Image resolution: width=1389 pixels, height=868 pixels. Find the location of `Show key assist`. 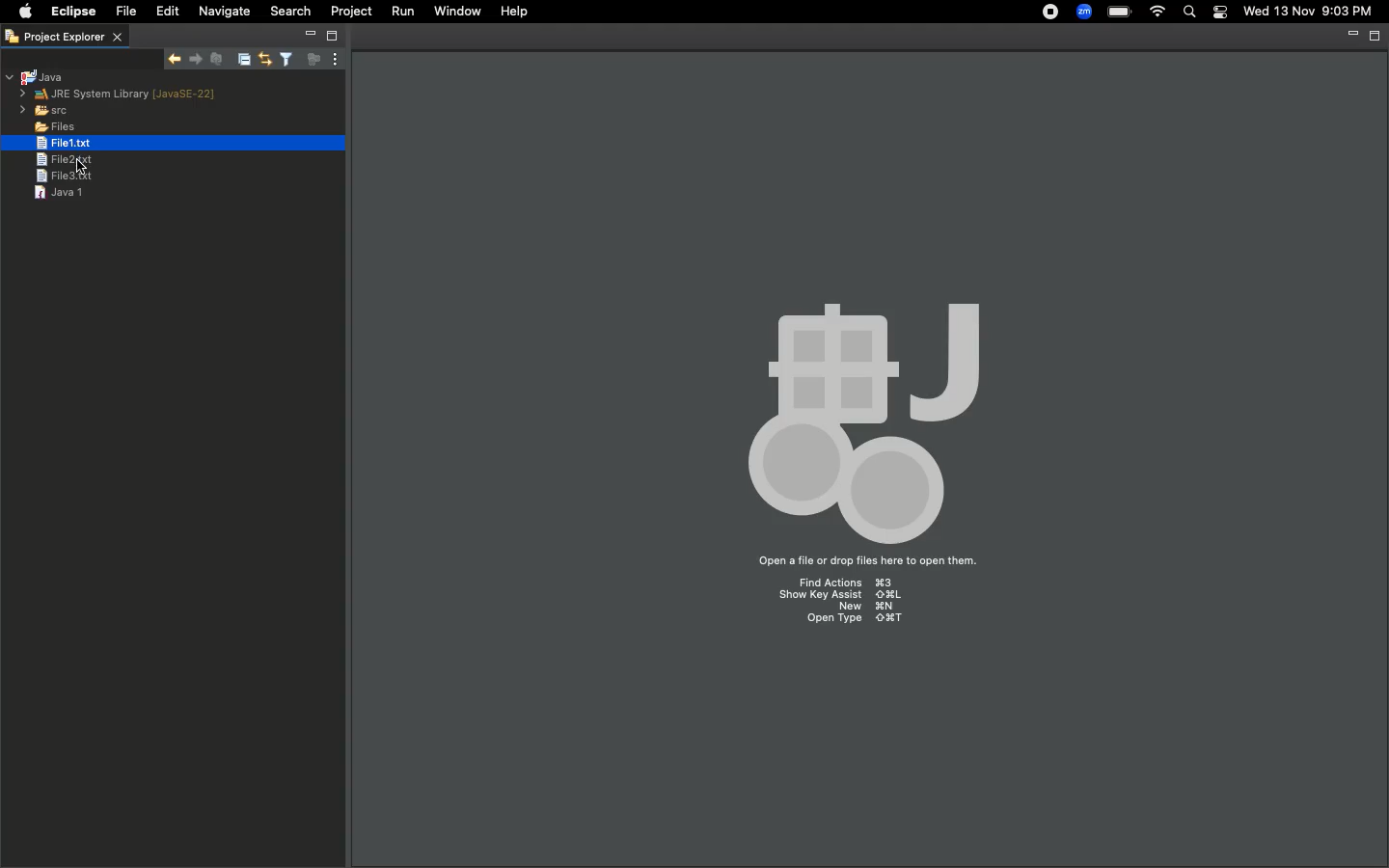

Show key assist is located at coordinates (840, 596).